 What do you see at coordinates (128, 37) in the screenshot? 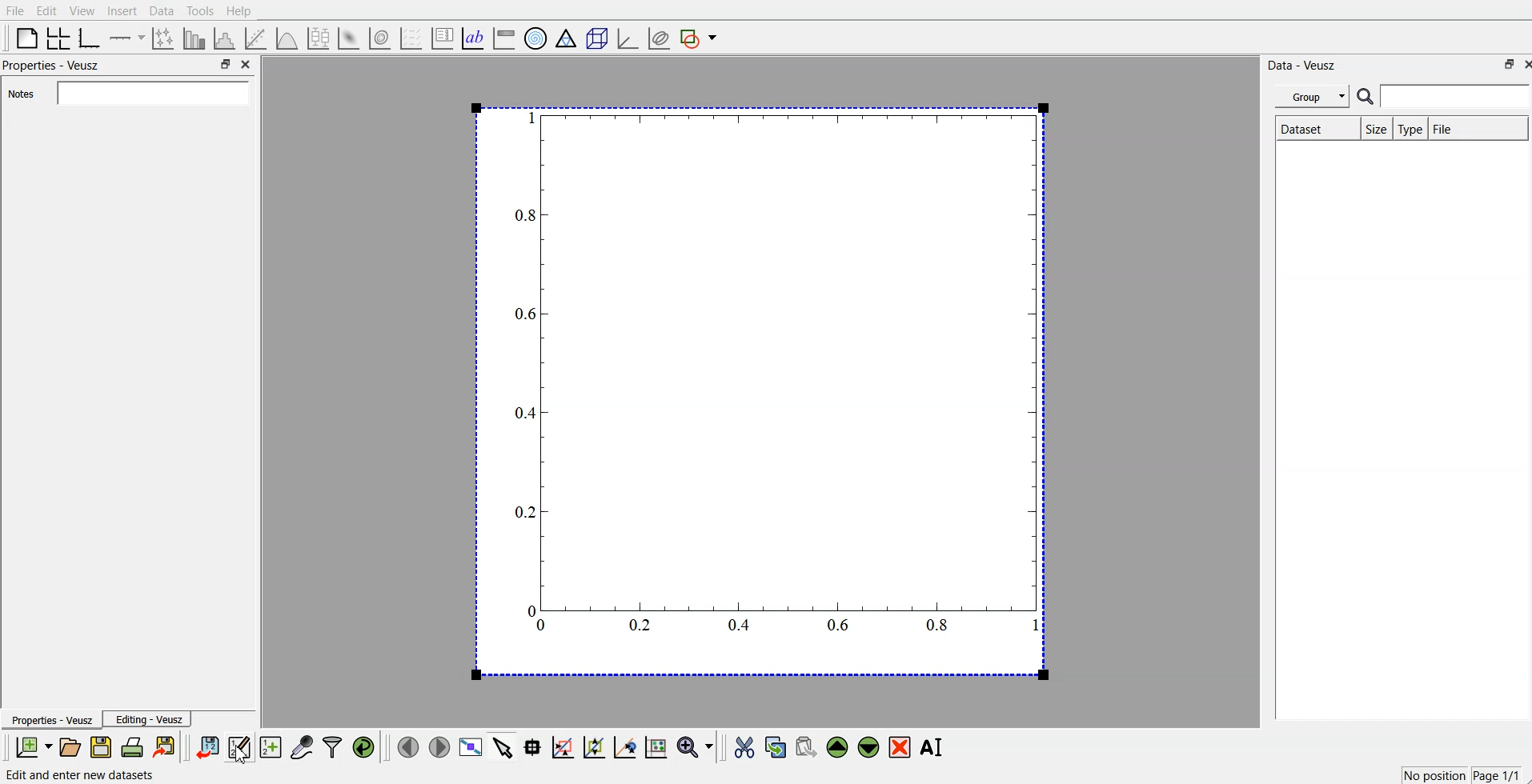
I see `Add an axis` at bounding box center [128, 37].